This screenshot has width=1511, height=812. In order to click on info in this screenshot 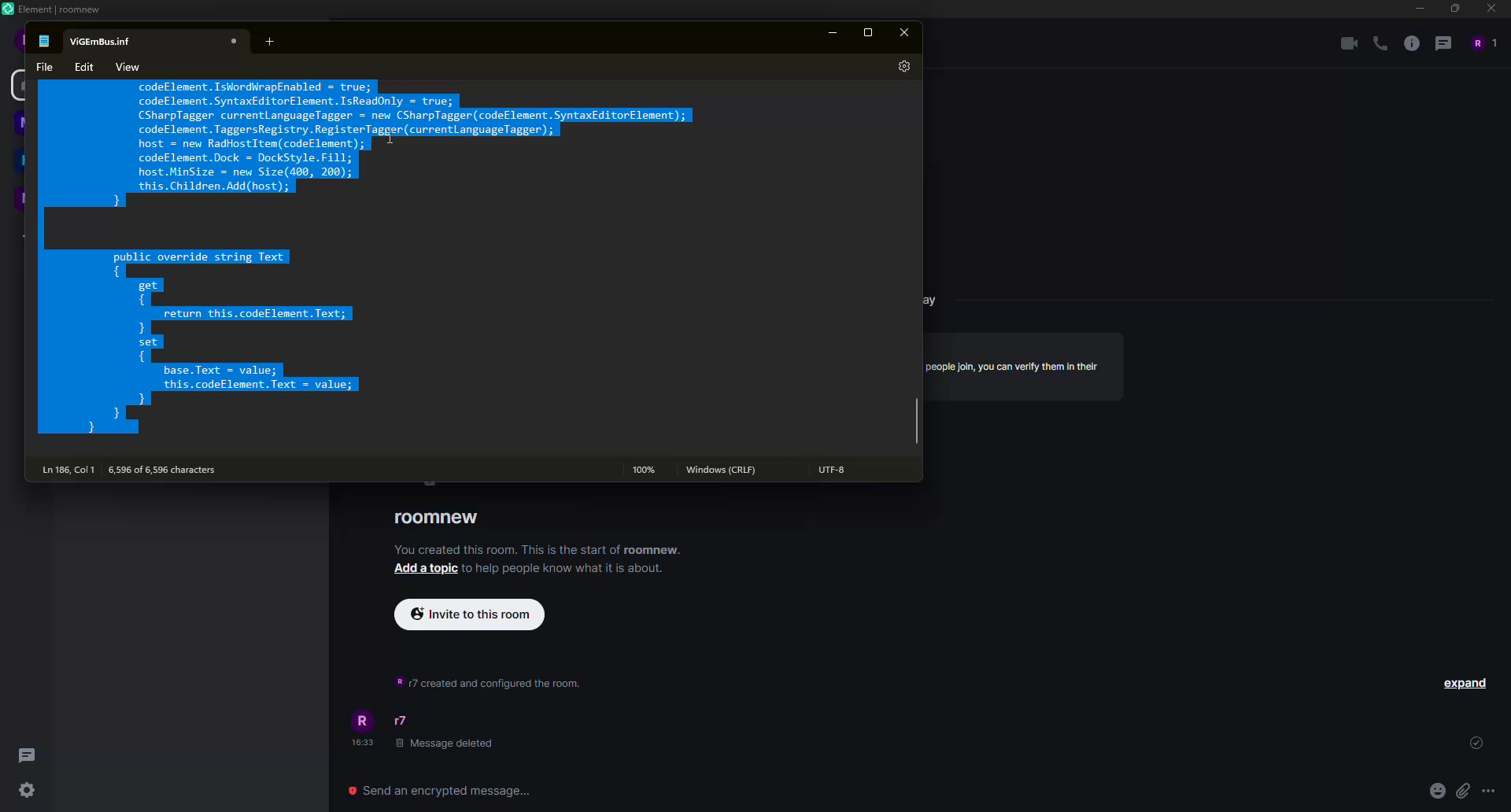, I will do `click(485, 681)`.